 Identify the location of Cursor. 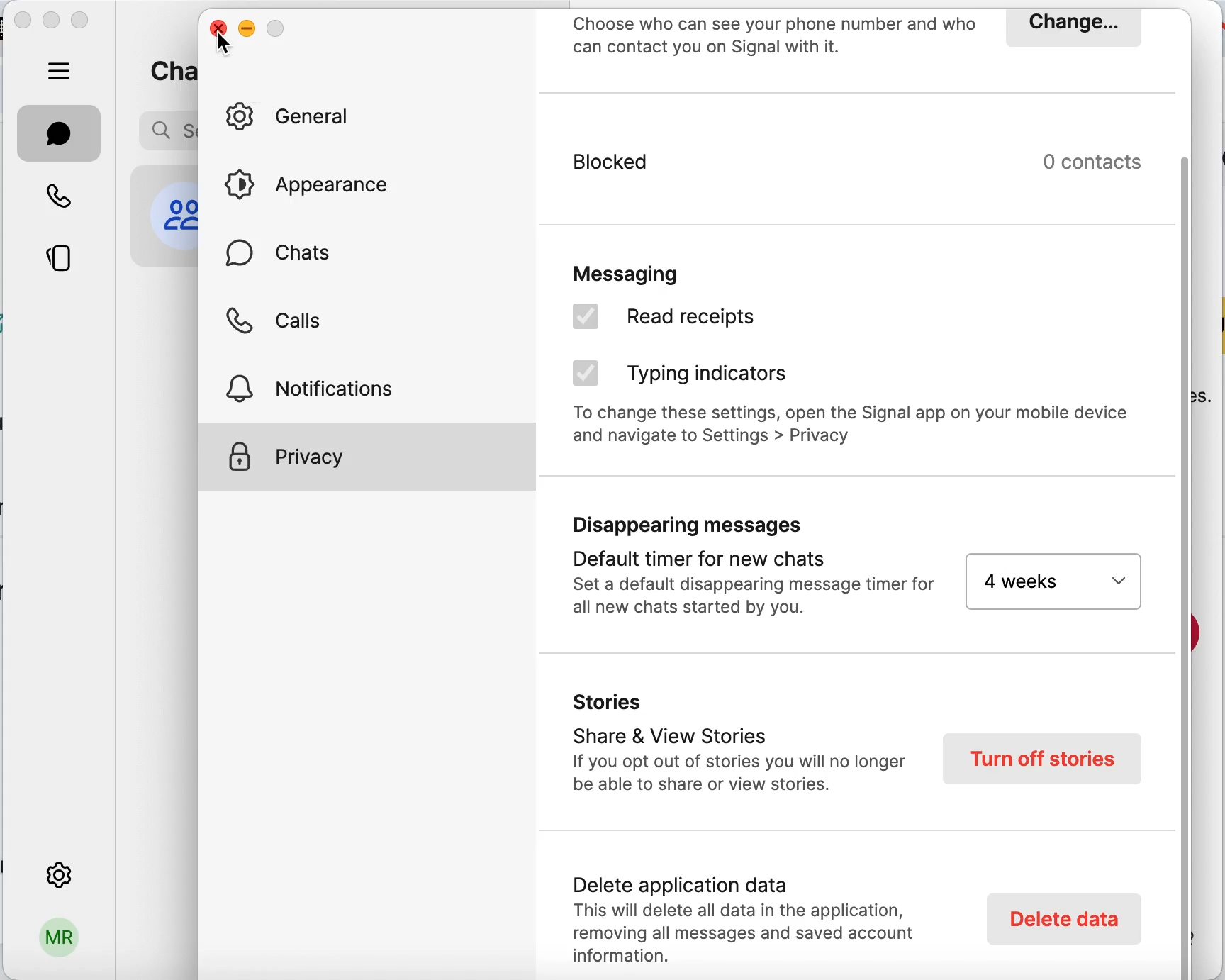
(586, 319).